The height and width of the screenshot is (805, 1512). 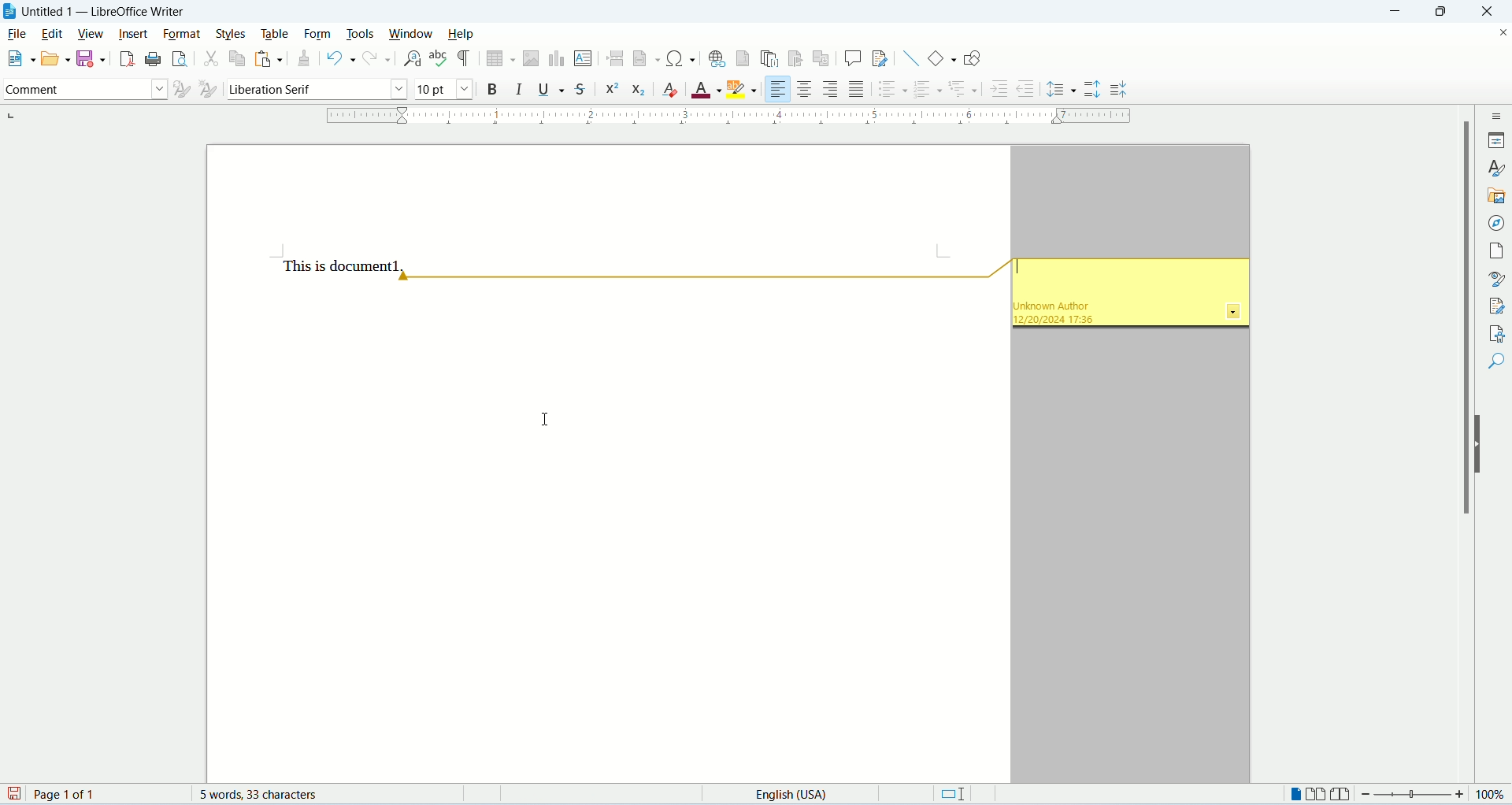 What do you see at coordinates (998, 91) in the screenshot?
I see `increase indent` at bounding box center [998, 91].